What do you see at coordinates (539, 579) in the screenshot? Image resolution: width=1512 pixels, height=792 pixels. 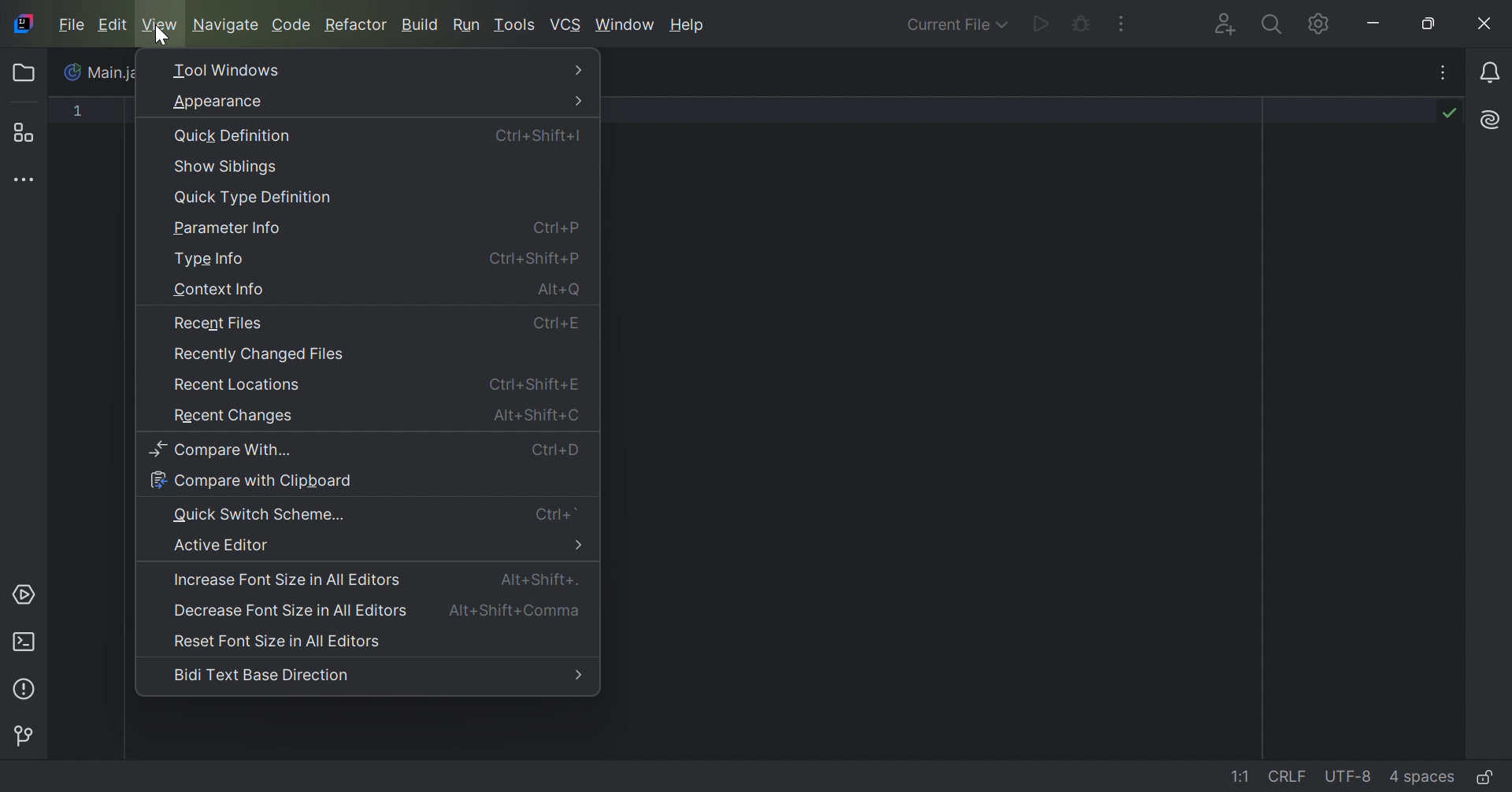 I see `Alt+Shift+,` at bounding box center [539, 579].